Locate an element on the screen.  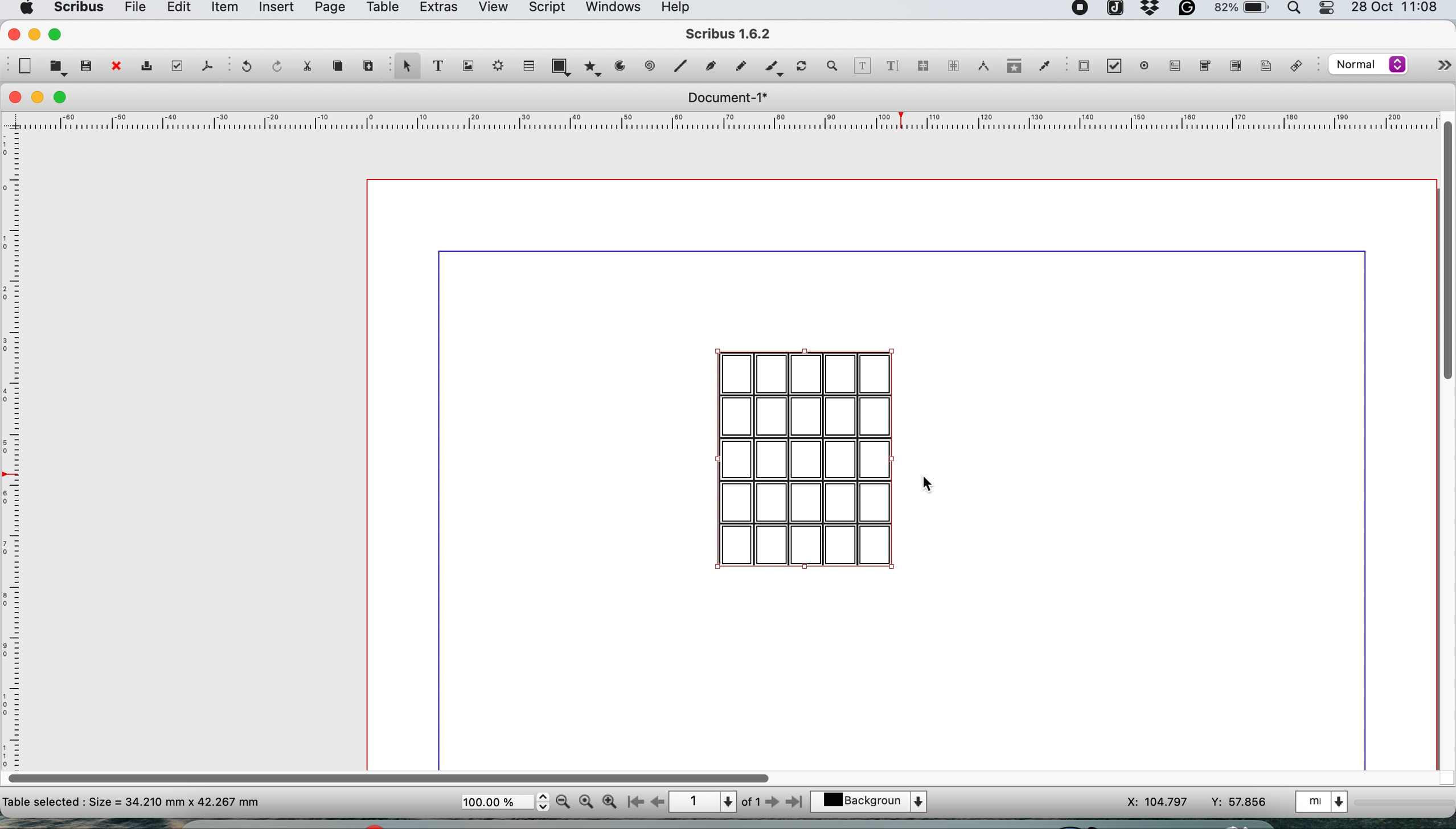
print is located at coordinates (145, 68).